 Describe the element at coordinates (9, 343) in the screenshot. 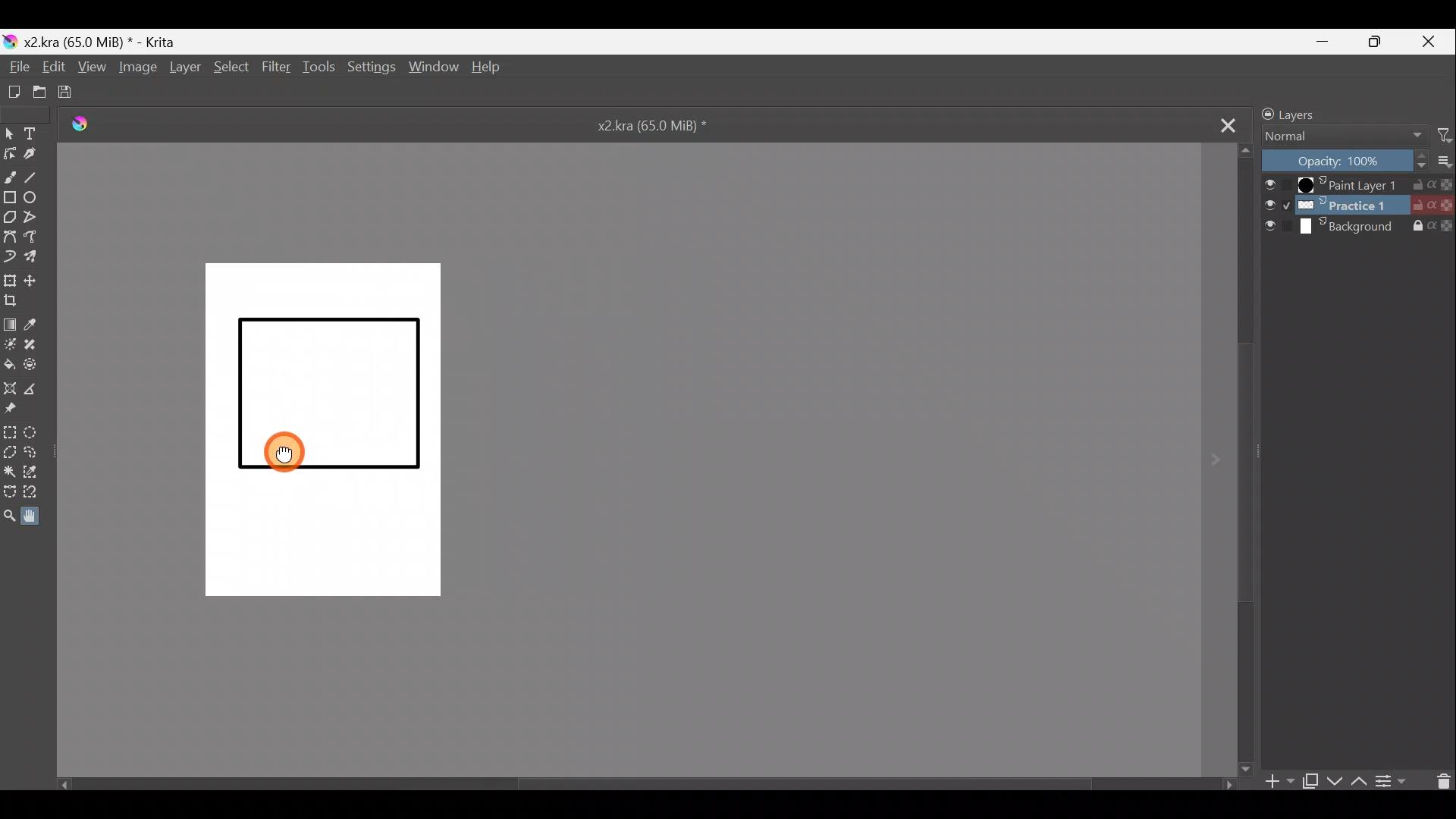

I see `Colourise mask tool` at that location.